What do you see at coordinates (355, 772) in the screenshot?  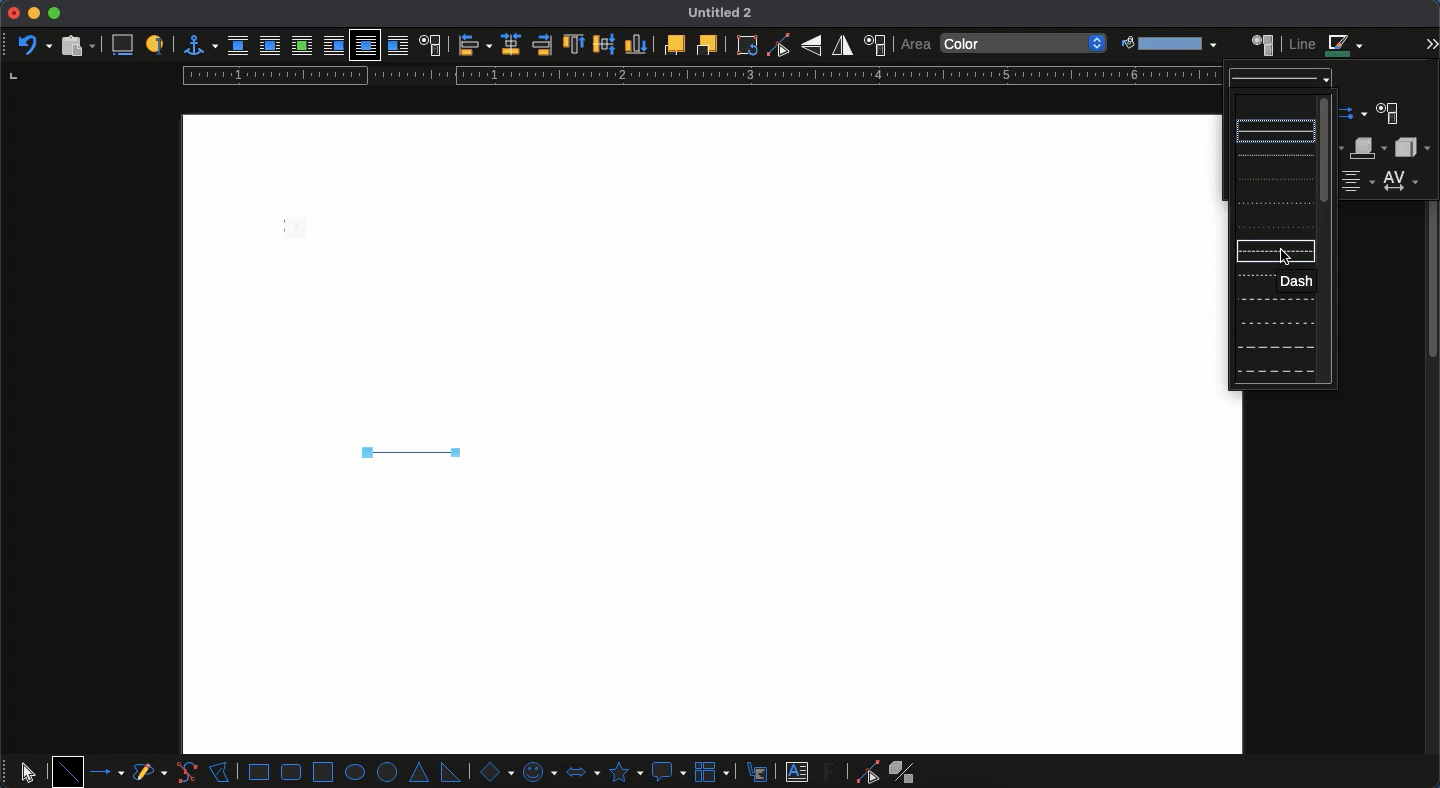 I see `ellipse` at bounding box center [355, 772].